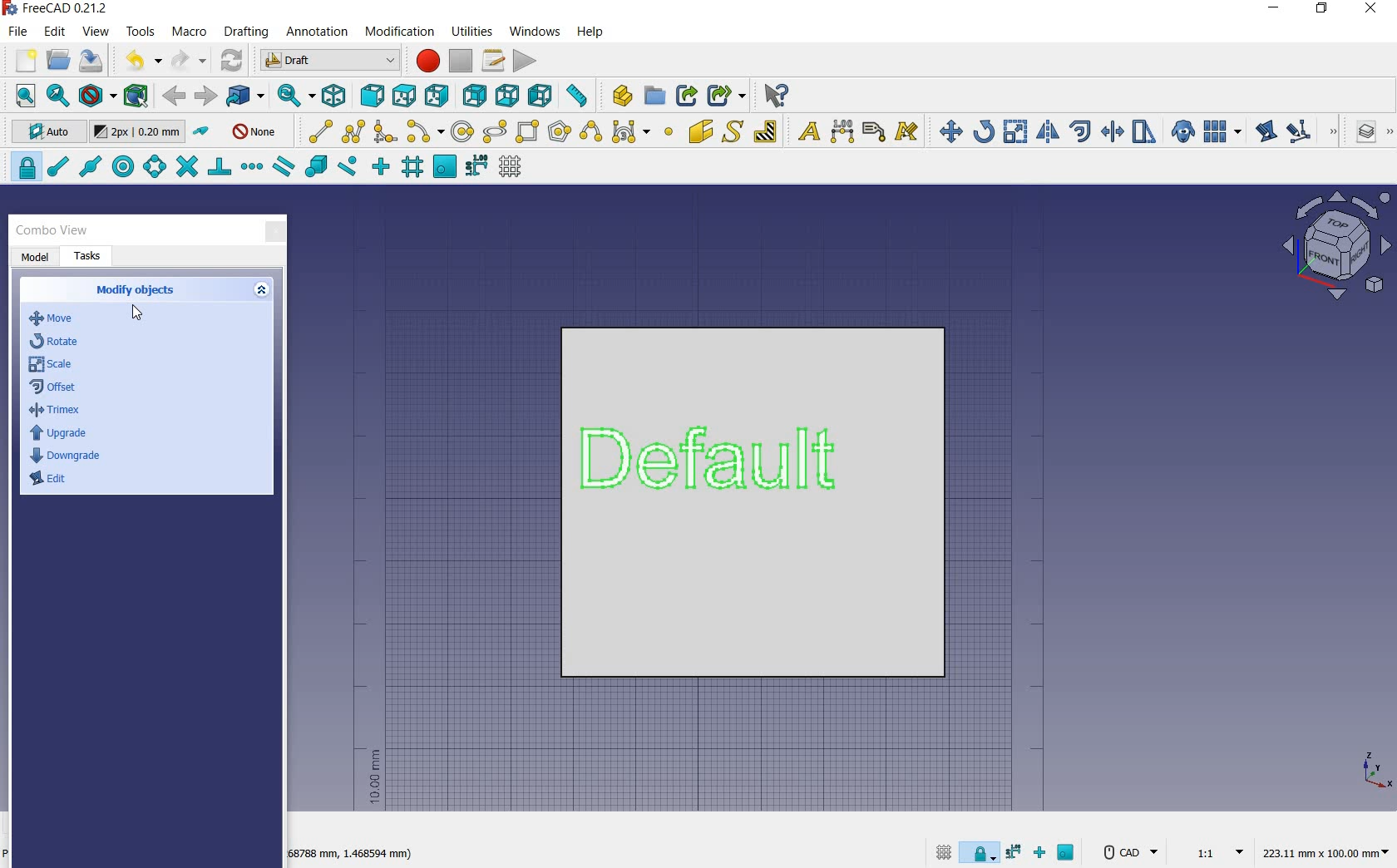 The width and height of the screenshot is (1397, 868). What do you see at coordinates (668, 133) in the screenshot?
I see `point` at bounding box center [668, 133].